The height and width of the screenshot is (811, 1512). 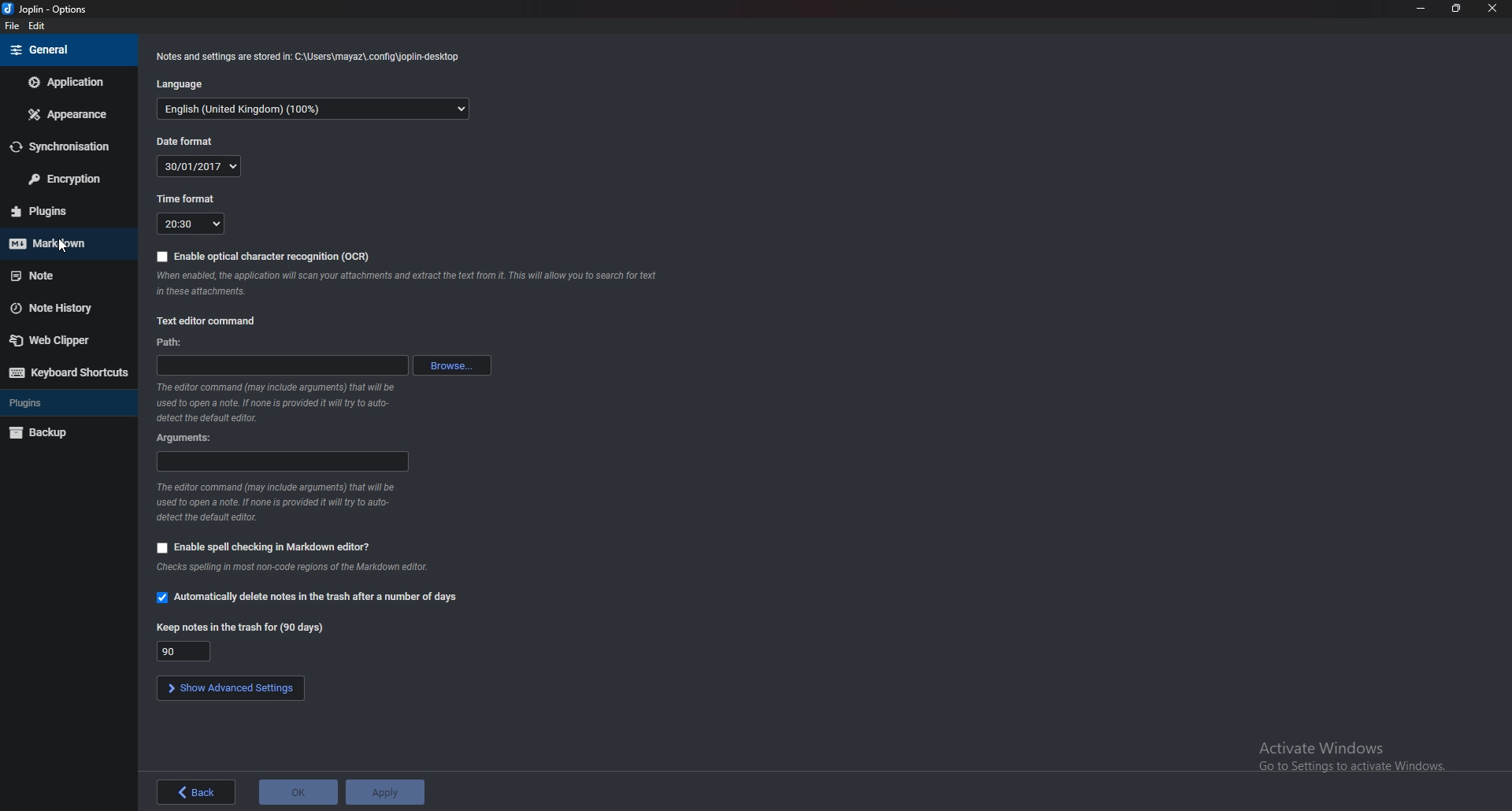 I want to click on Appearance, so click(x=69, y=114).